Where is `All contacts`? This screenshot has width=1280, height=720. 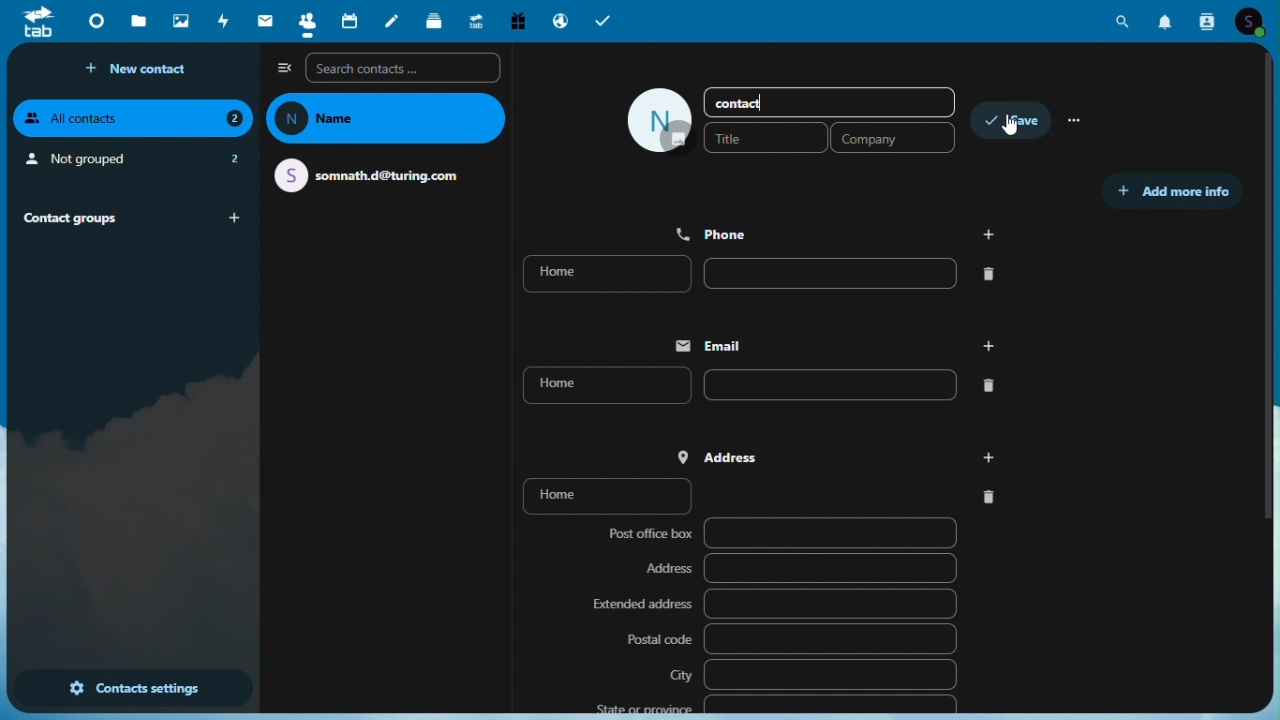 All contacts is located at coordinates (133, 118).